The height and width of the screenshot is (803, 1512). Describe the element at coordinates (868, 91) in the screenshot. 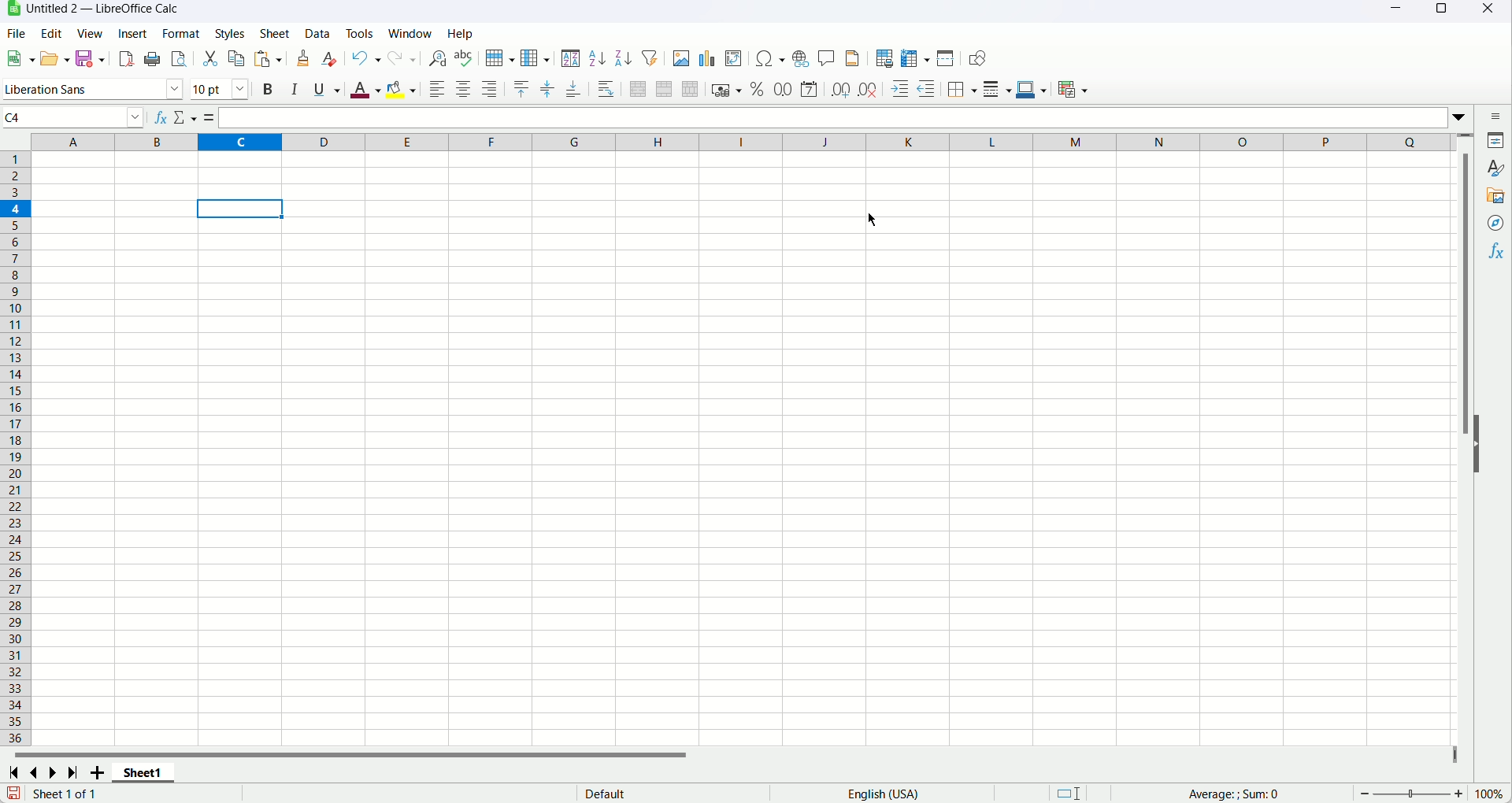

I see `Delete decimal place` at that location.